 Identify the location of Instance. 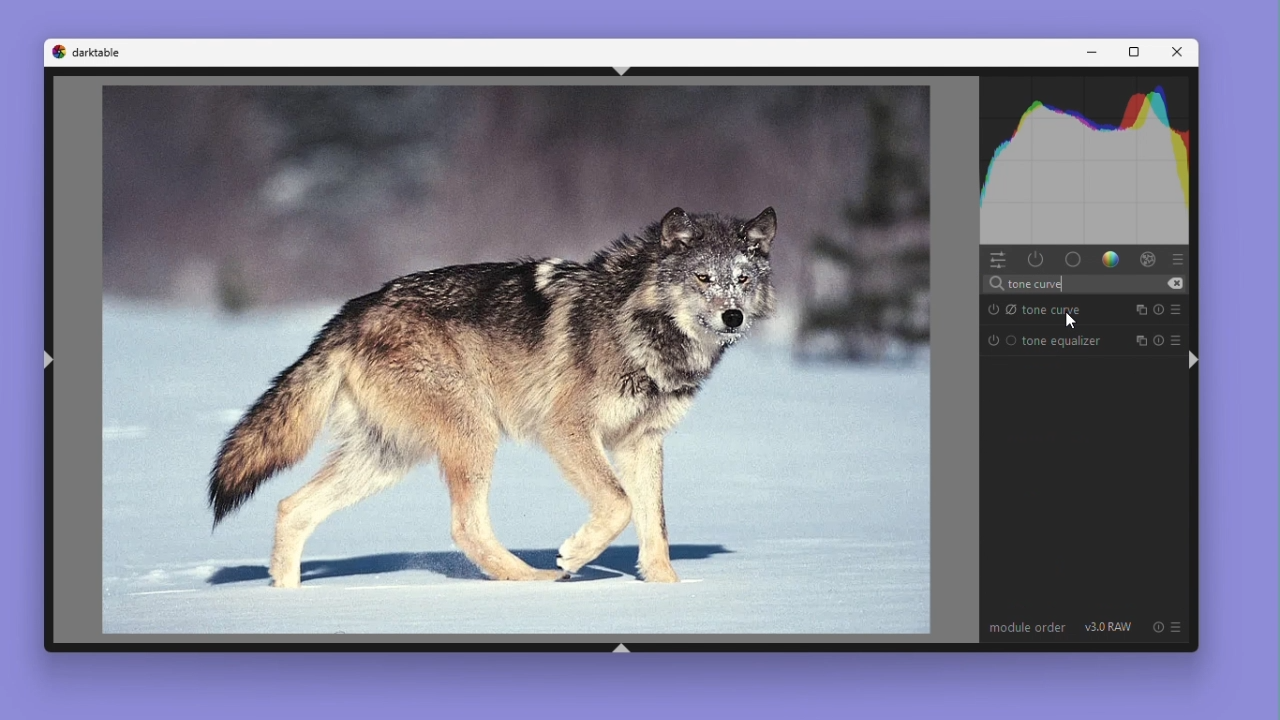
(1140, 309).